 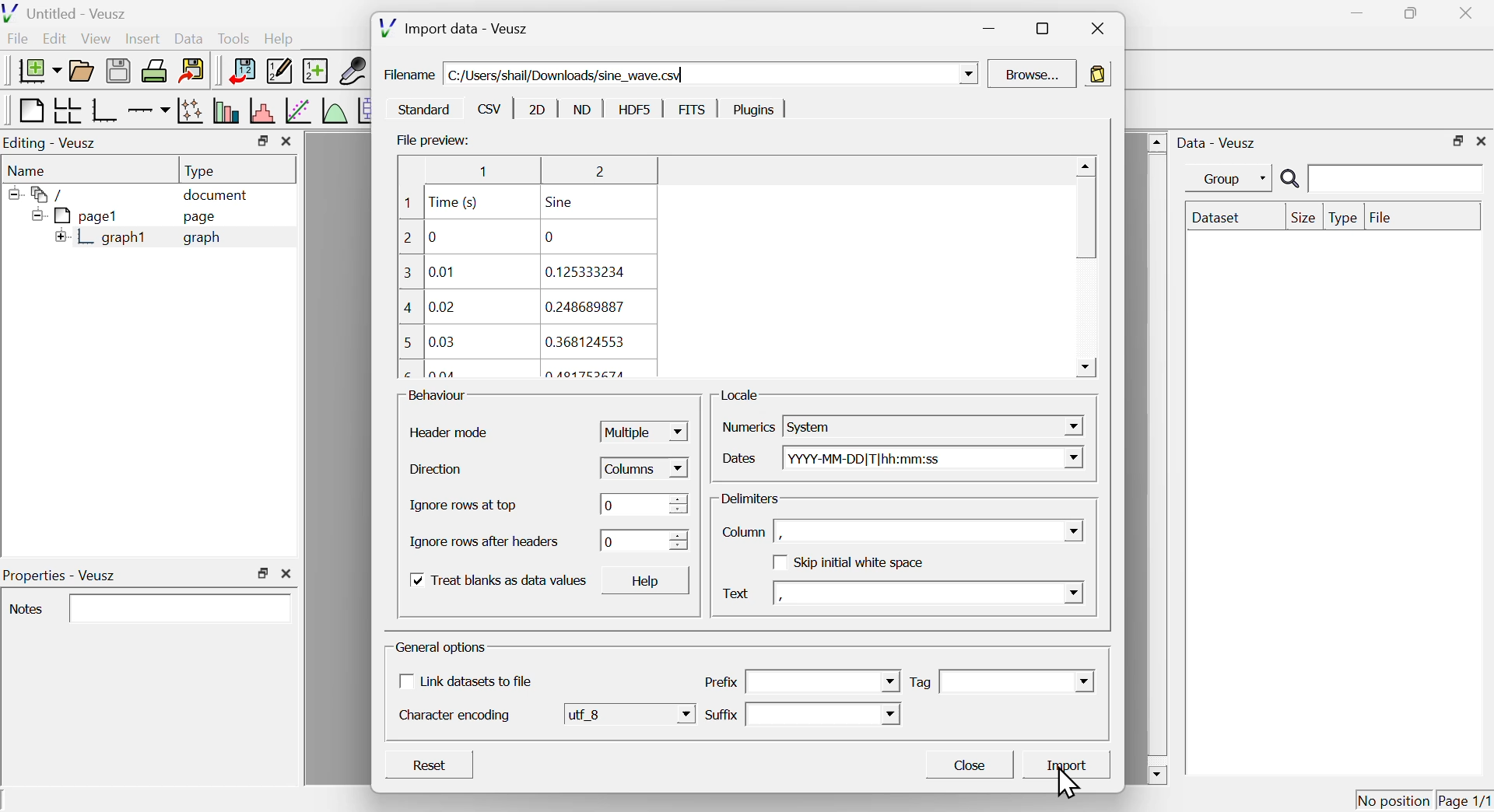 What do you see at coordinates (1455, 140) in the screenshot?
I see `maximize` at bounding box center [1455, 140].